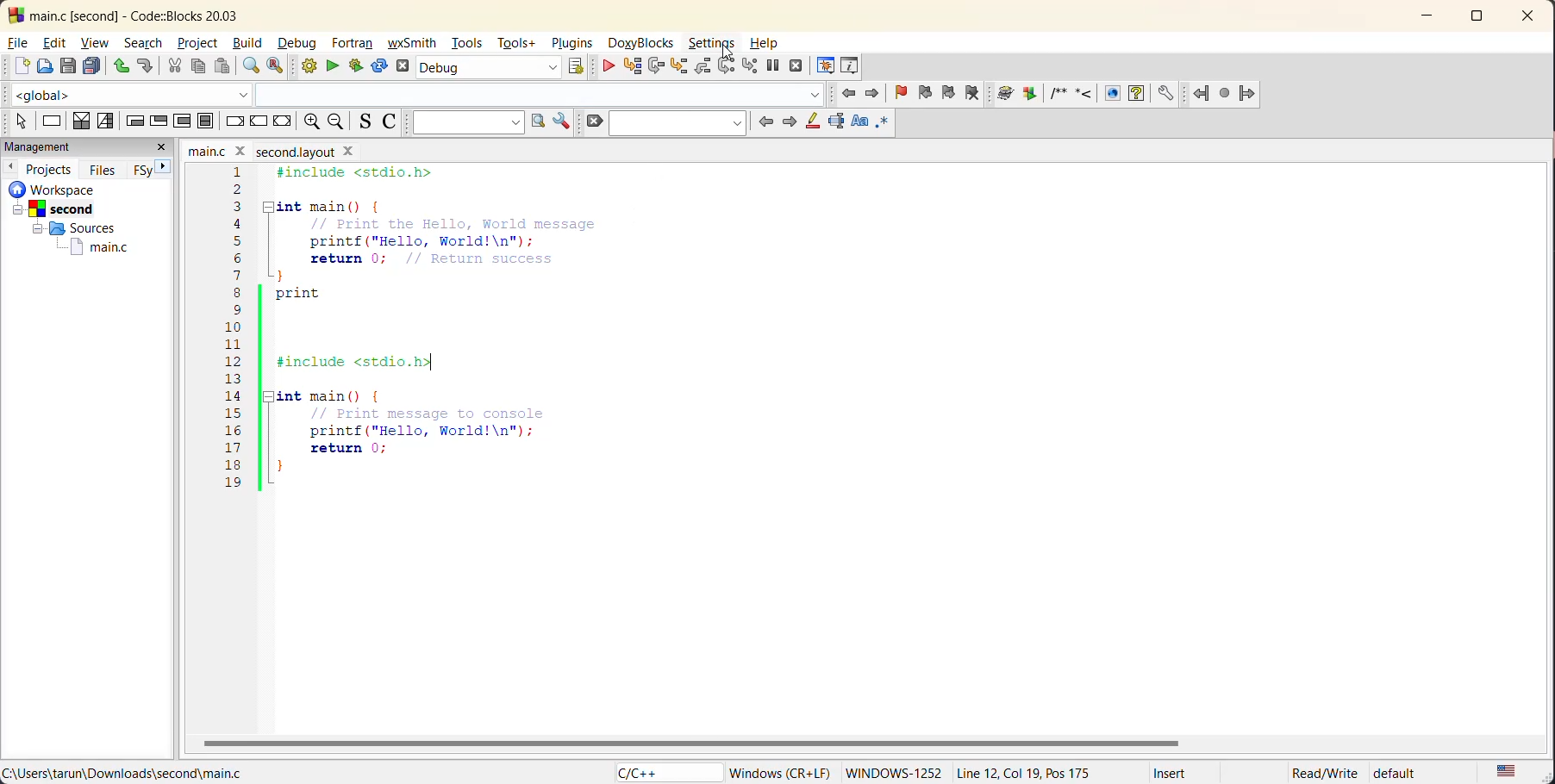  Describe the element at coordinates (770, 44) in the screenshot. I see `help` at that location.